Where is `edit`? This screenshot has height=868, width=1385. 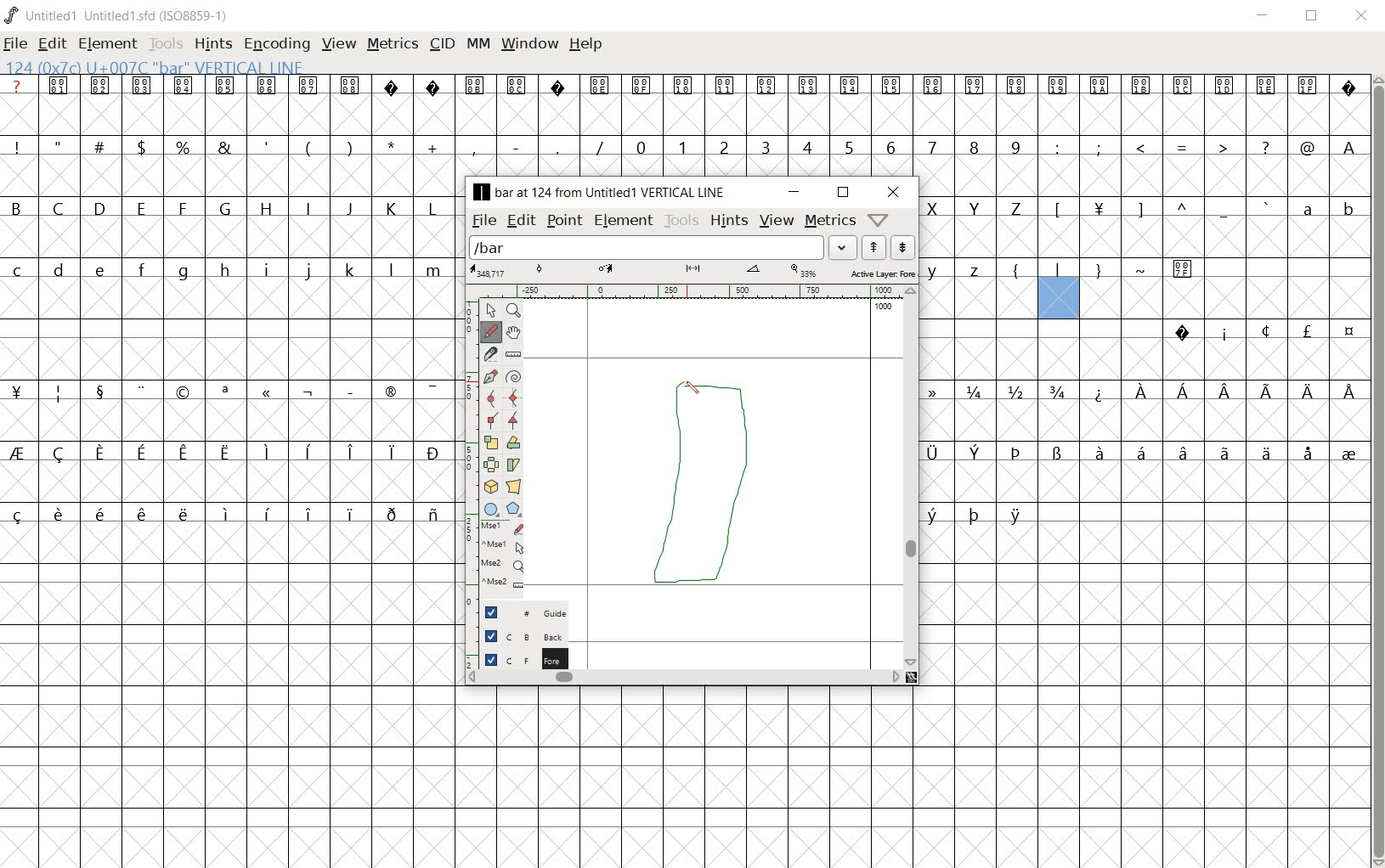
edit is located at coordinates (51, 43).